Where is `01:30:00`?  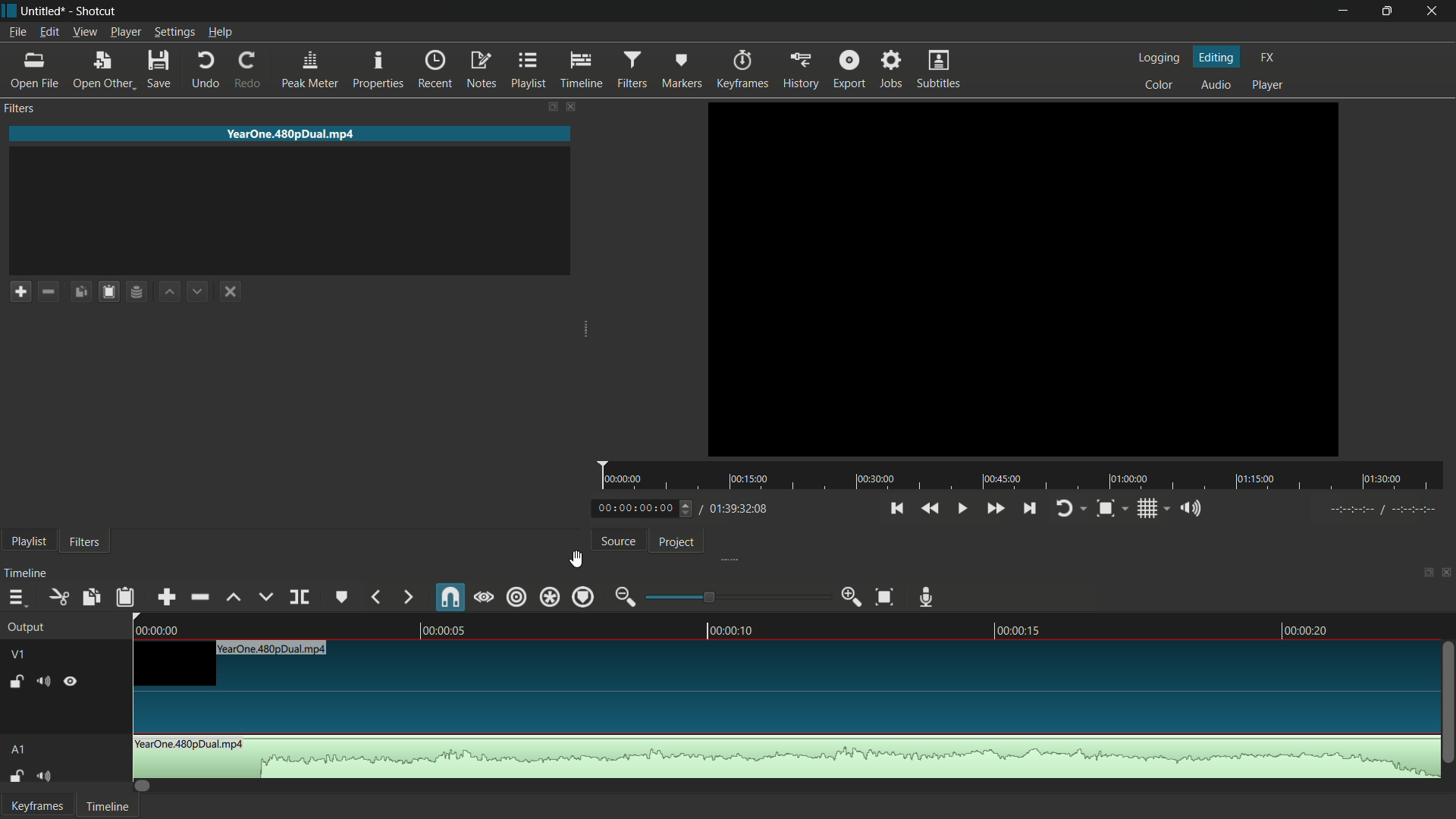 01:30:00 is located at coordinates (1382, 480).